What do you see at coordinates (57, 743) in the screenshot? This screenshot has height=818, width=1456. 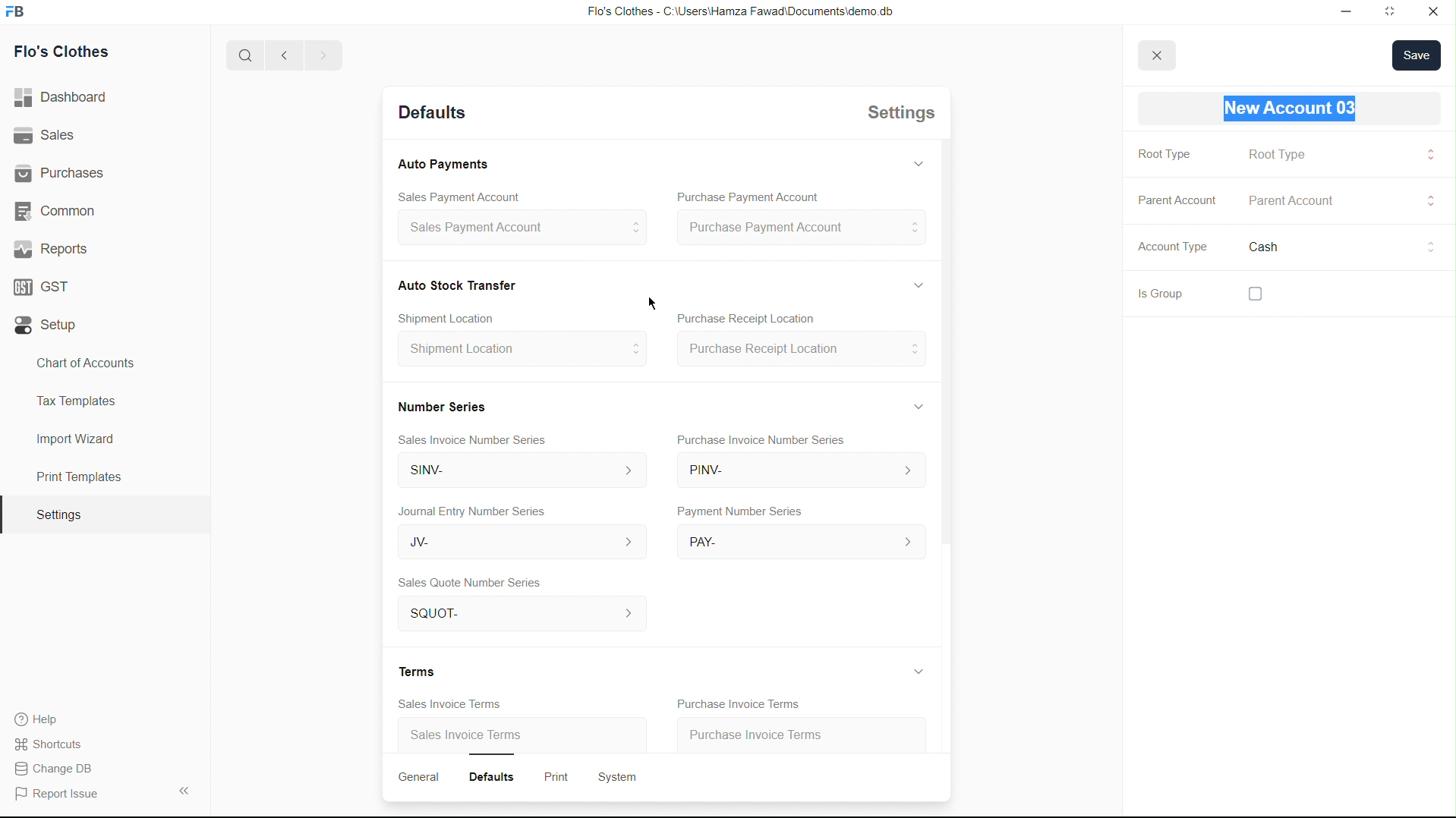 I see `Shortcuts` at bounding box center [57, 743].